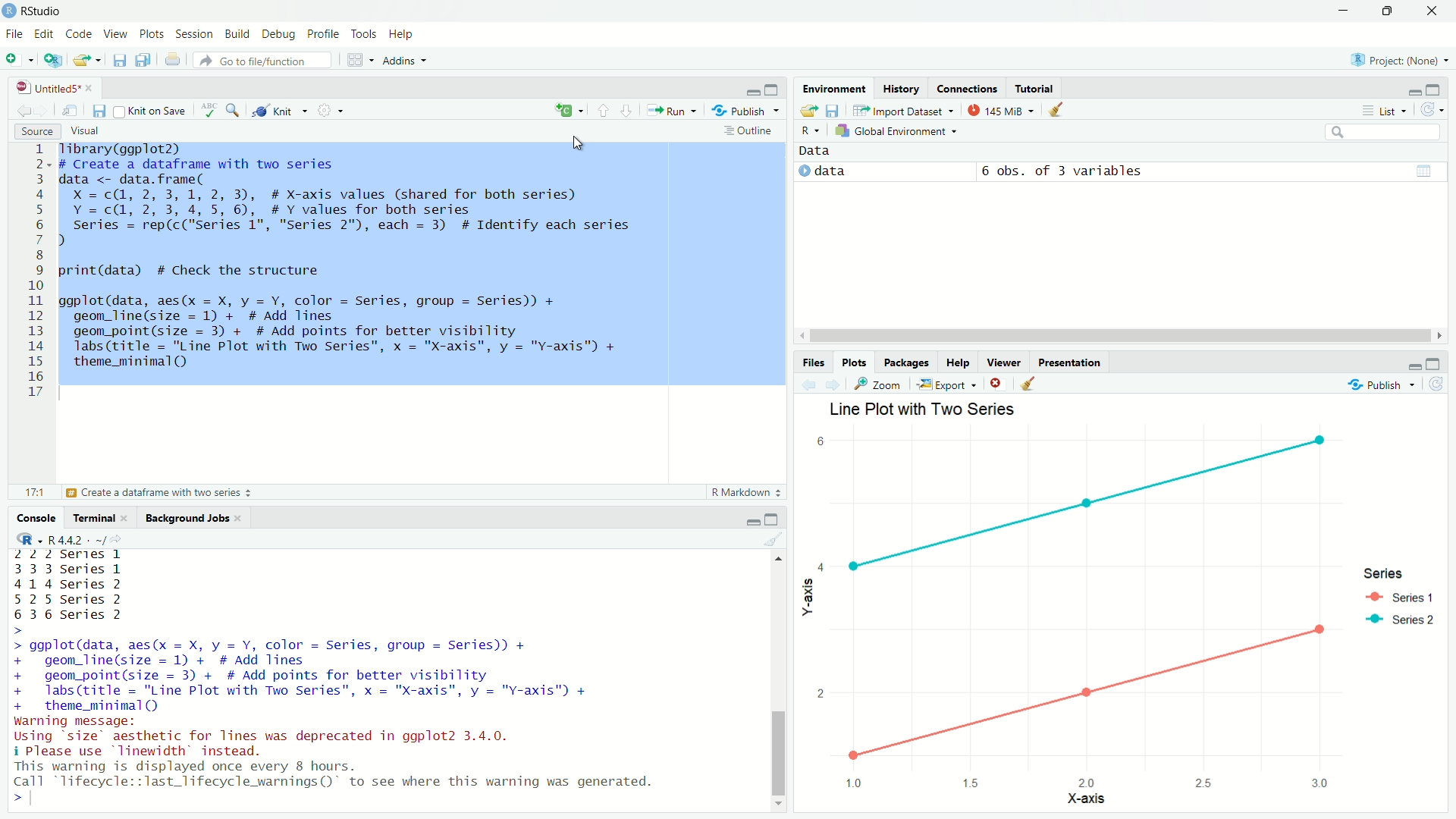  Describe the element at coordinates (233, 111) in the screenshot. I see `Find/Replace` at that location.